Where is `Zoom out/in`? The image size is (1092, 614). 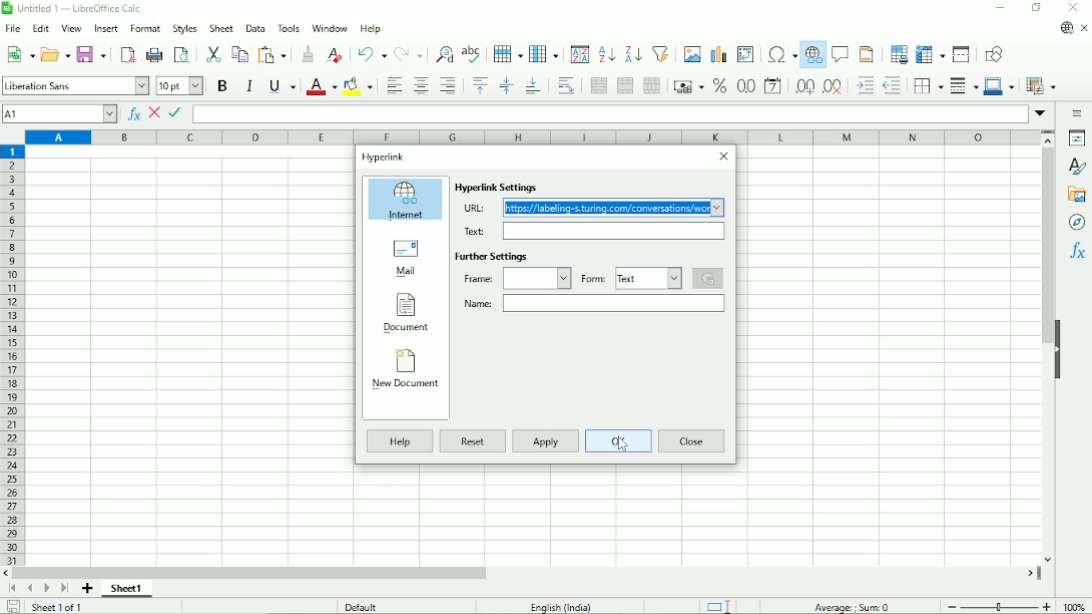 Zoom out/in is located at coordinates (997, 605).